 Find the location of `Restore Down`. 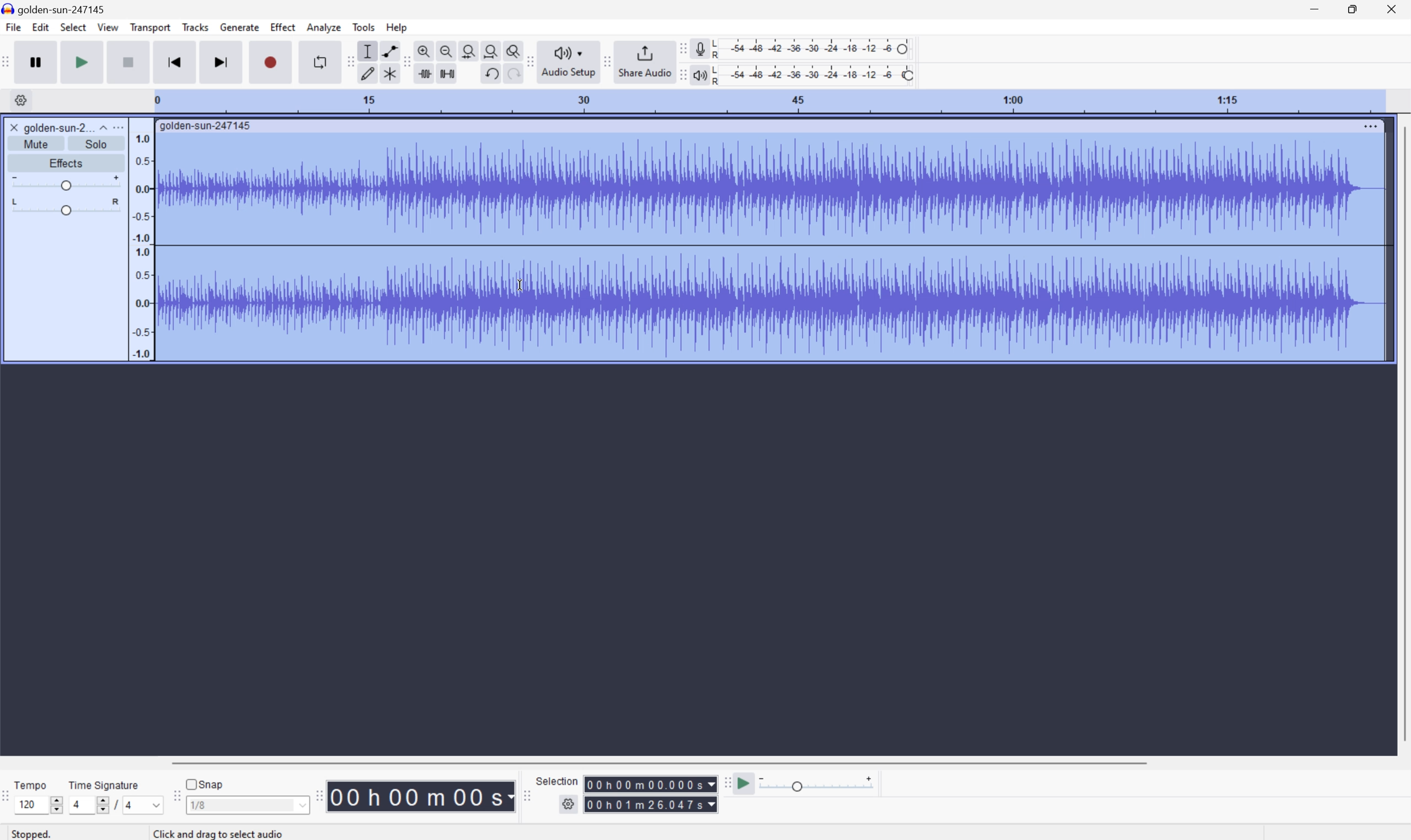

Restore Down is located at coordinates (1352, 10).